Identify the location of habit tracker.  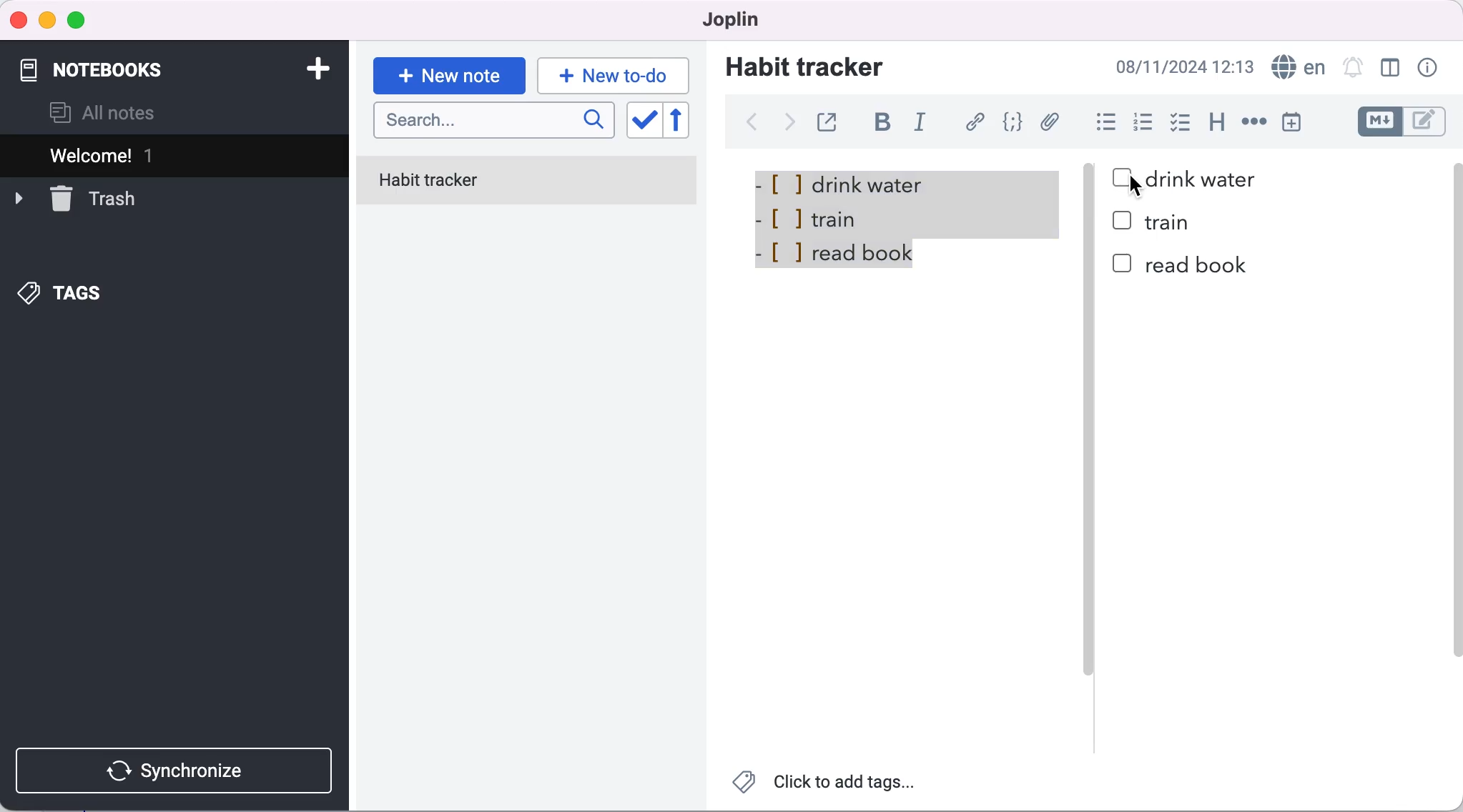
(527, 182).